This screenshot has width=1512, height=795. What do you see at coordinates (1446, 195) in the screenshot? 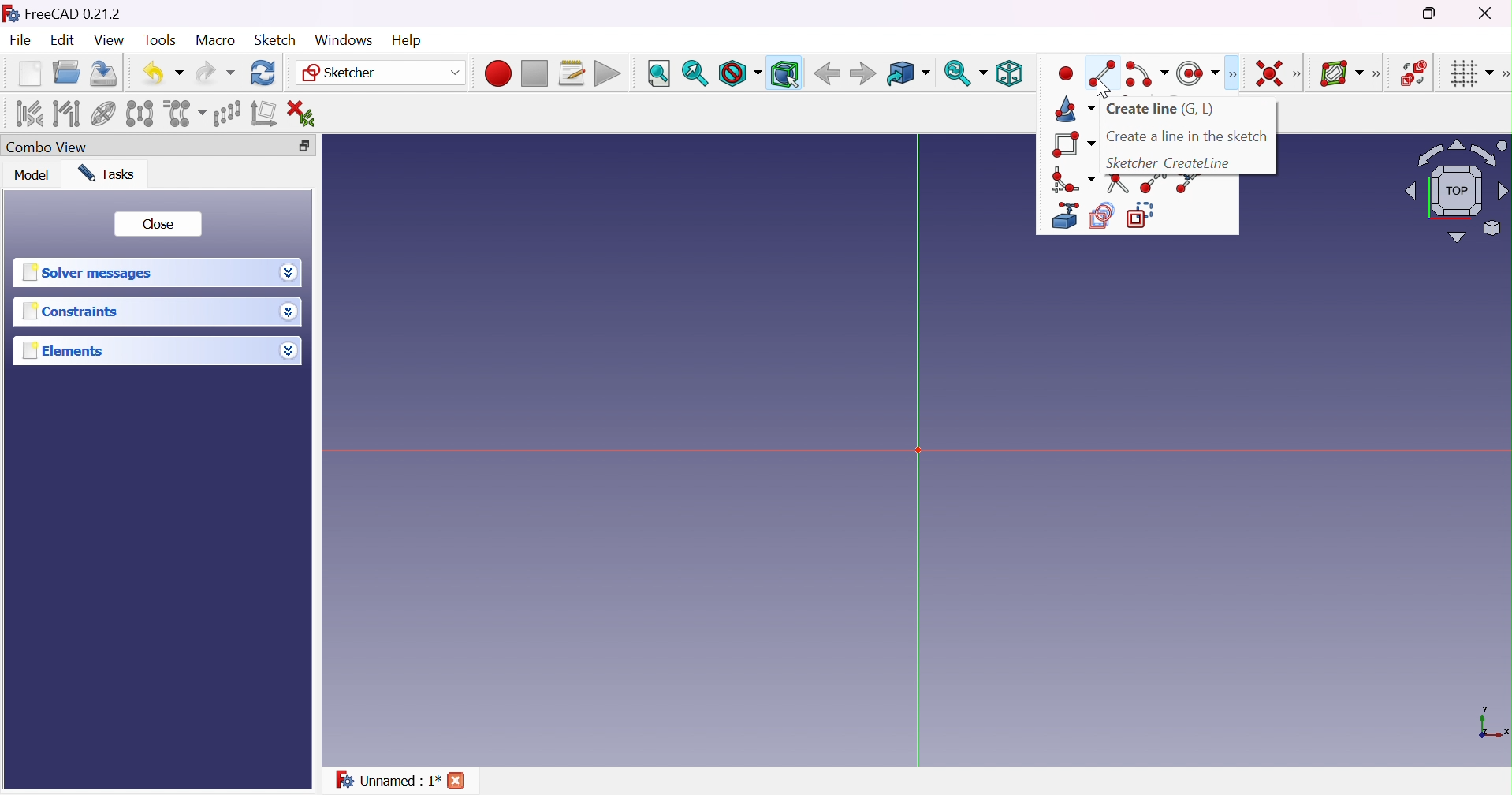
I see `viewing angle` at bounding box center [1446, 195].